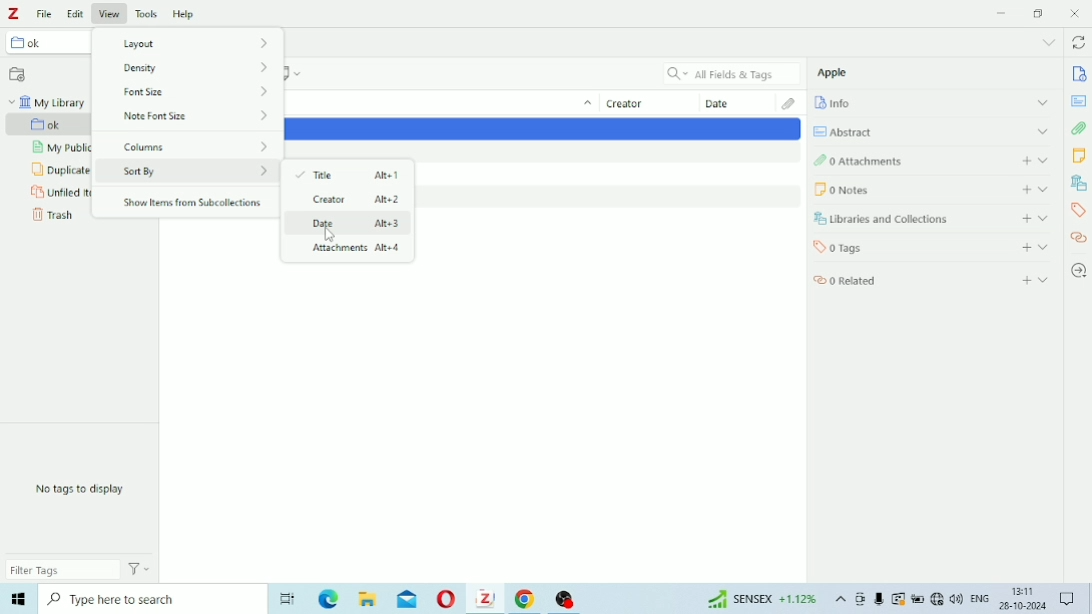  What do you see at coordinates (1078, 212) in the screenshot?
I see `Tags` at bounding box center [1078, 212].